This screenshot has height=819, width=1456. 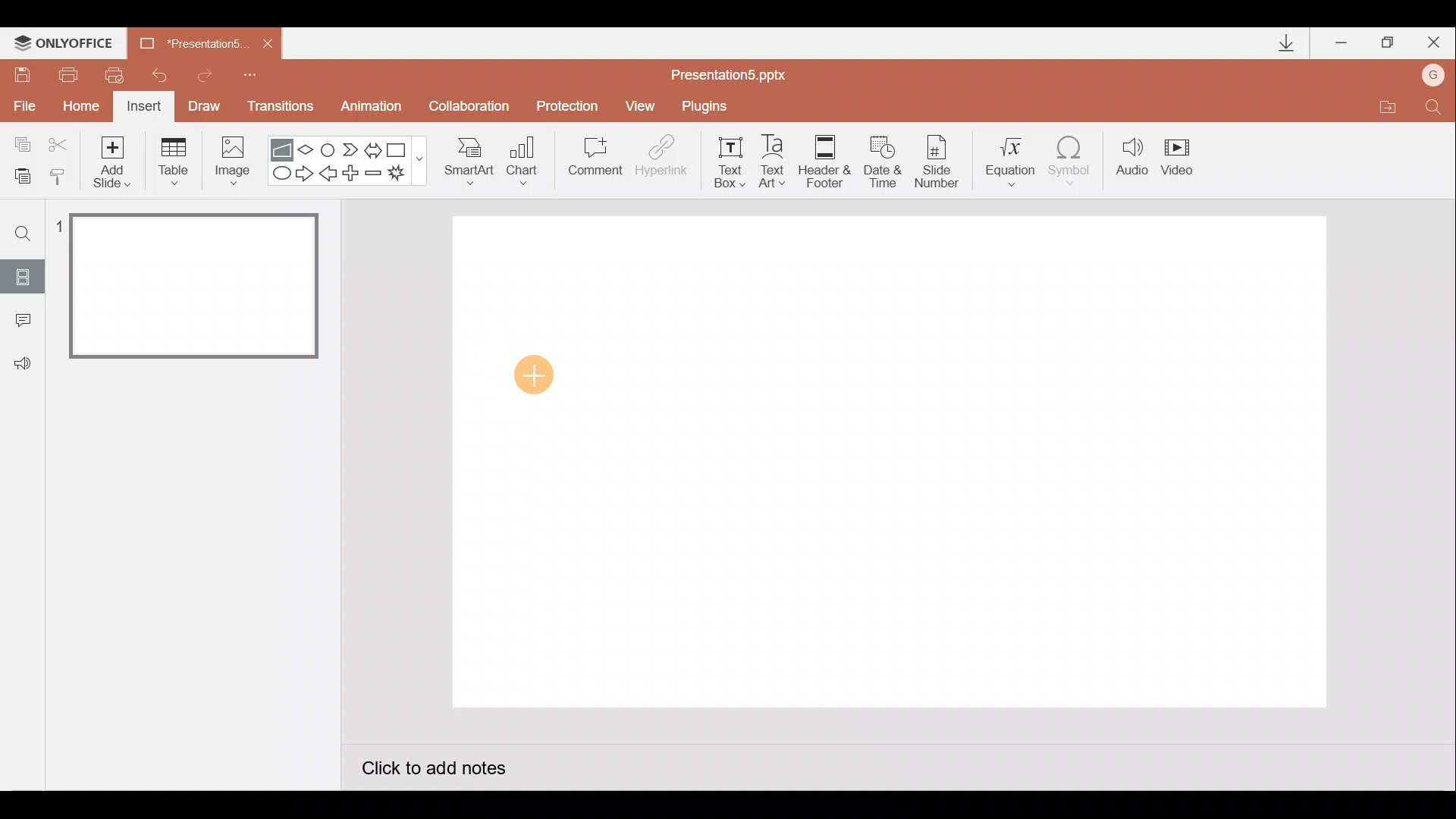 I want to click on Animation, so click(x=373, y=108).